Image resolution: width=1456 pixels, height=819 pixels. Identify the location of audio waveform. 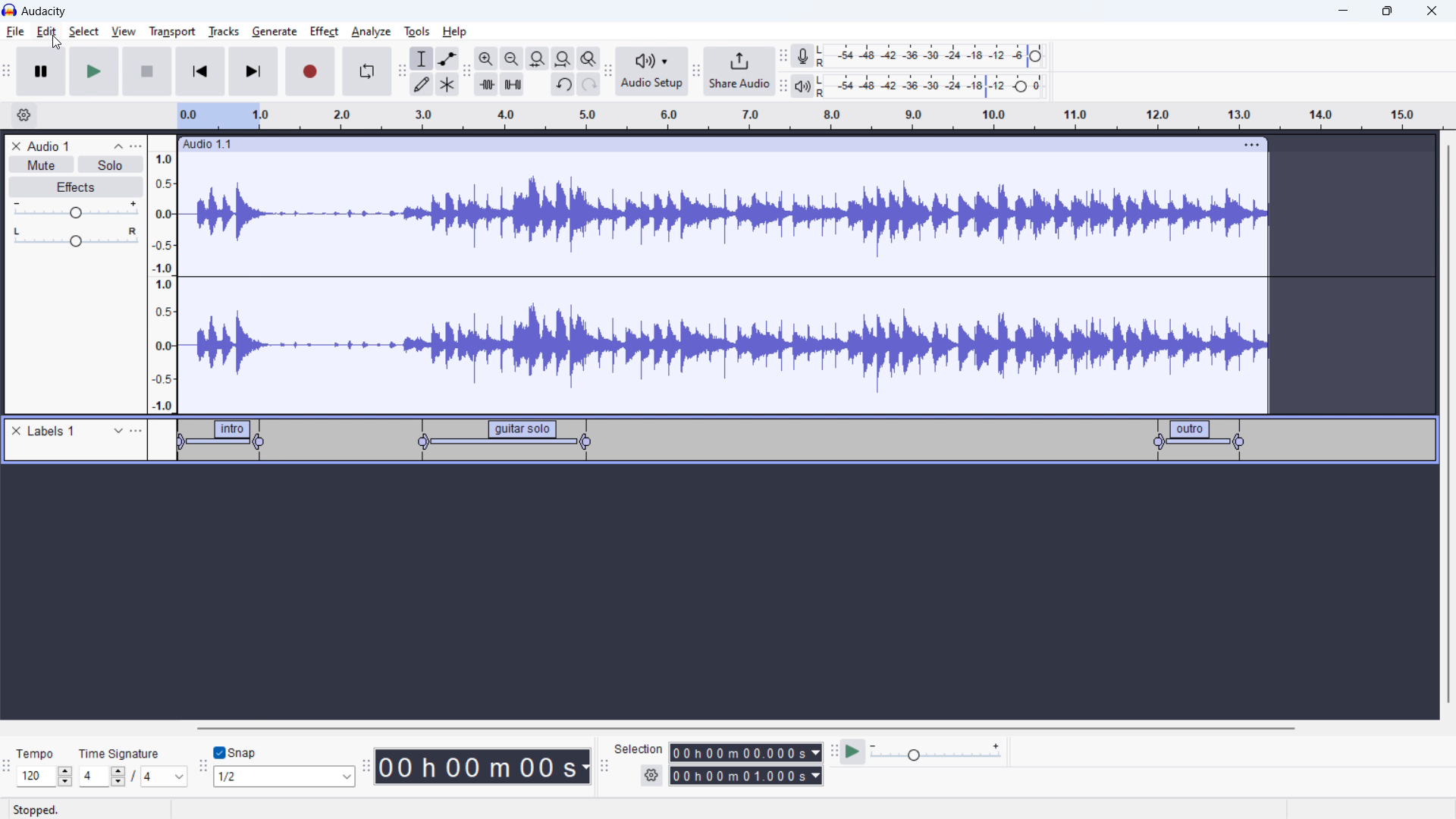
(724, 281).